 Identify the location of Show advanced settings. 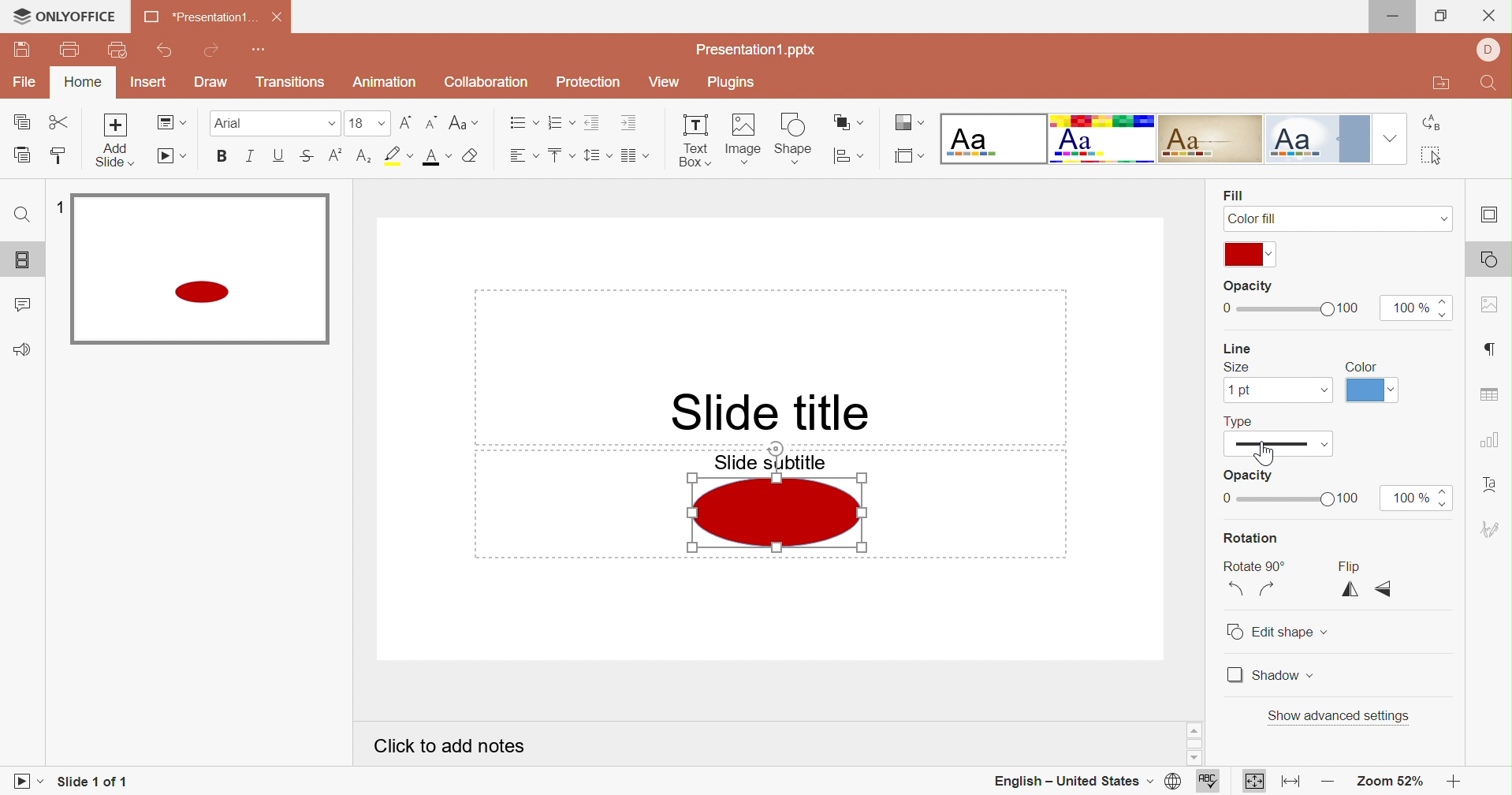
(1339, 718).